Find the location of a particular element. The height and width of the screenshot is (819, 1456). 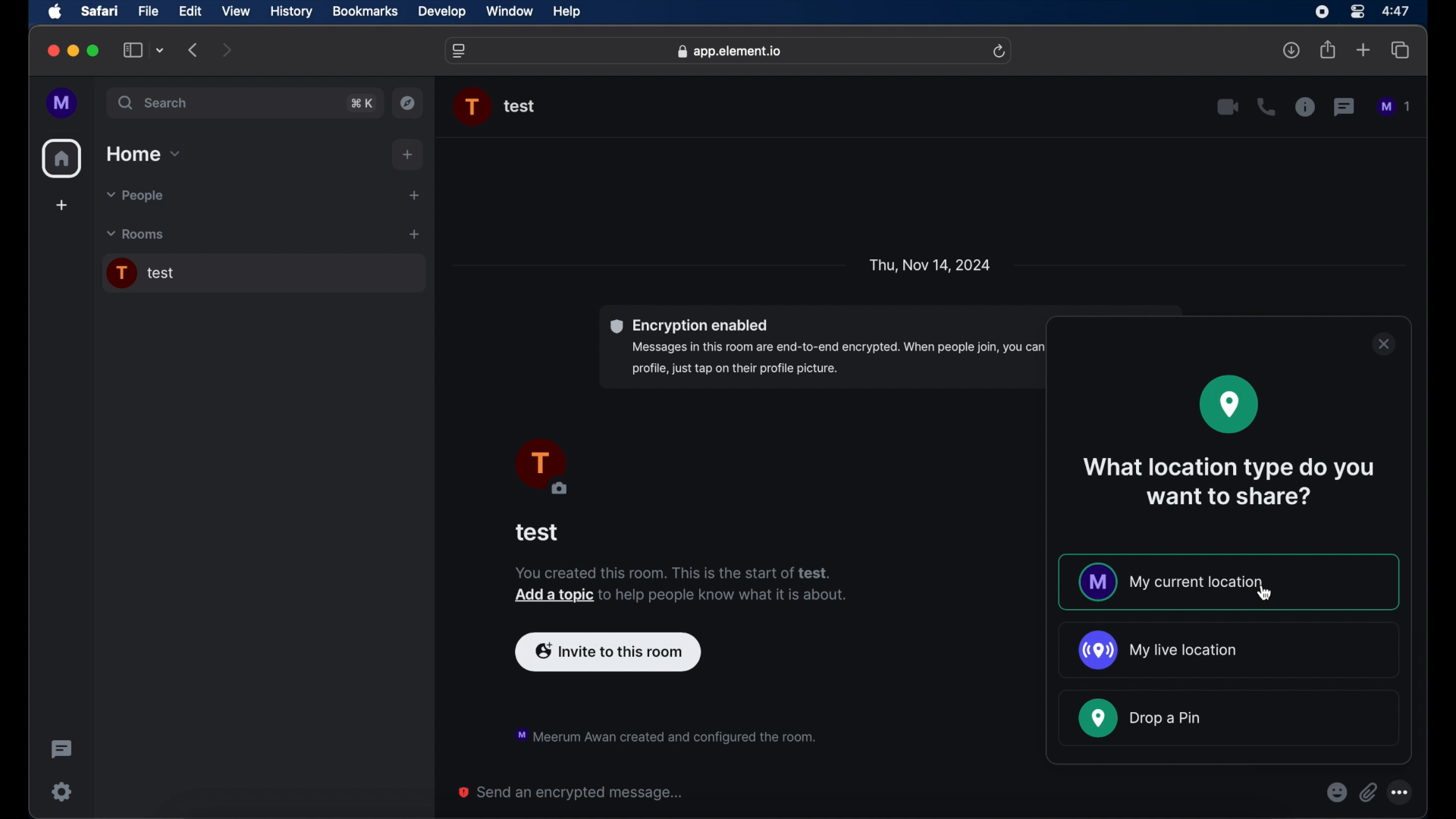

control center is located at coordinates (1356, 11).